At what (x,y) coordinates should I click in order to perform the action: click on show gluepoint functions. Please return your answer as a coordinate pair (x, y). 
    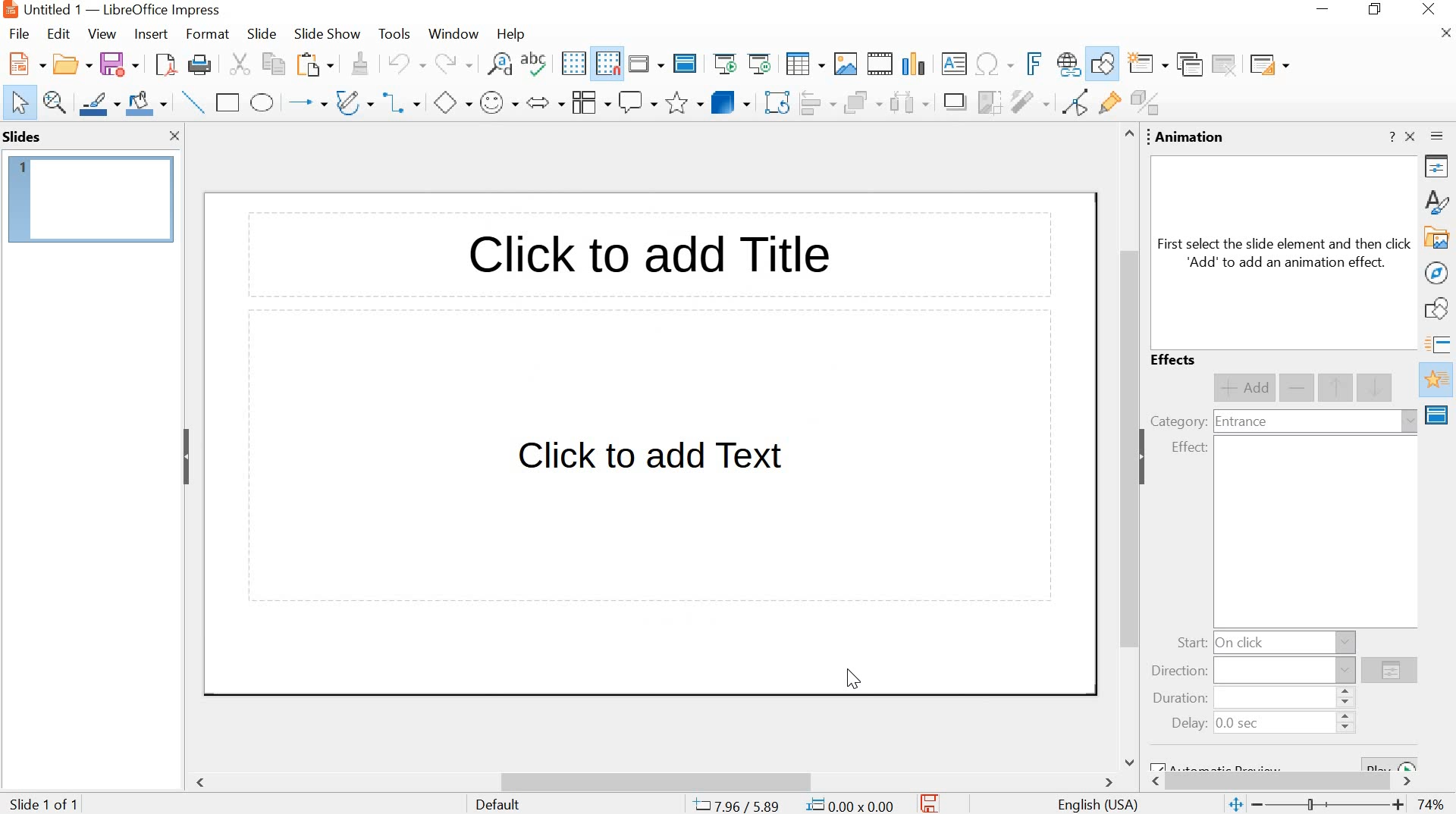
    Looking at the image, I should click on (1106, 104).